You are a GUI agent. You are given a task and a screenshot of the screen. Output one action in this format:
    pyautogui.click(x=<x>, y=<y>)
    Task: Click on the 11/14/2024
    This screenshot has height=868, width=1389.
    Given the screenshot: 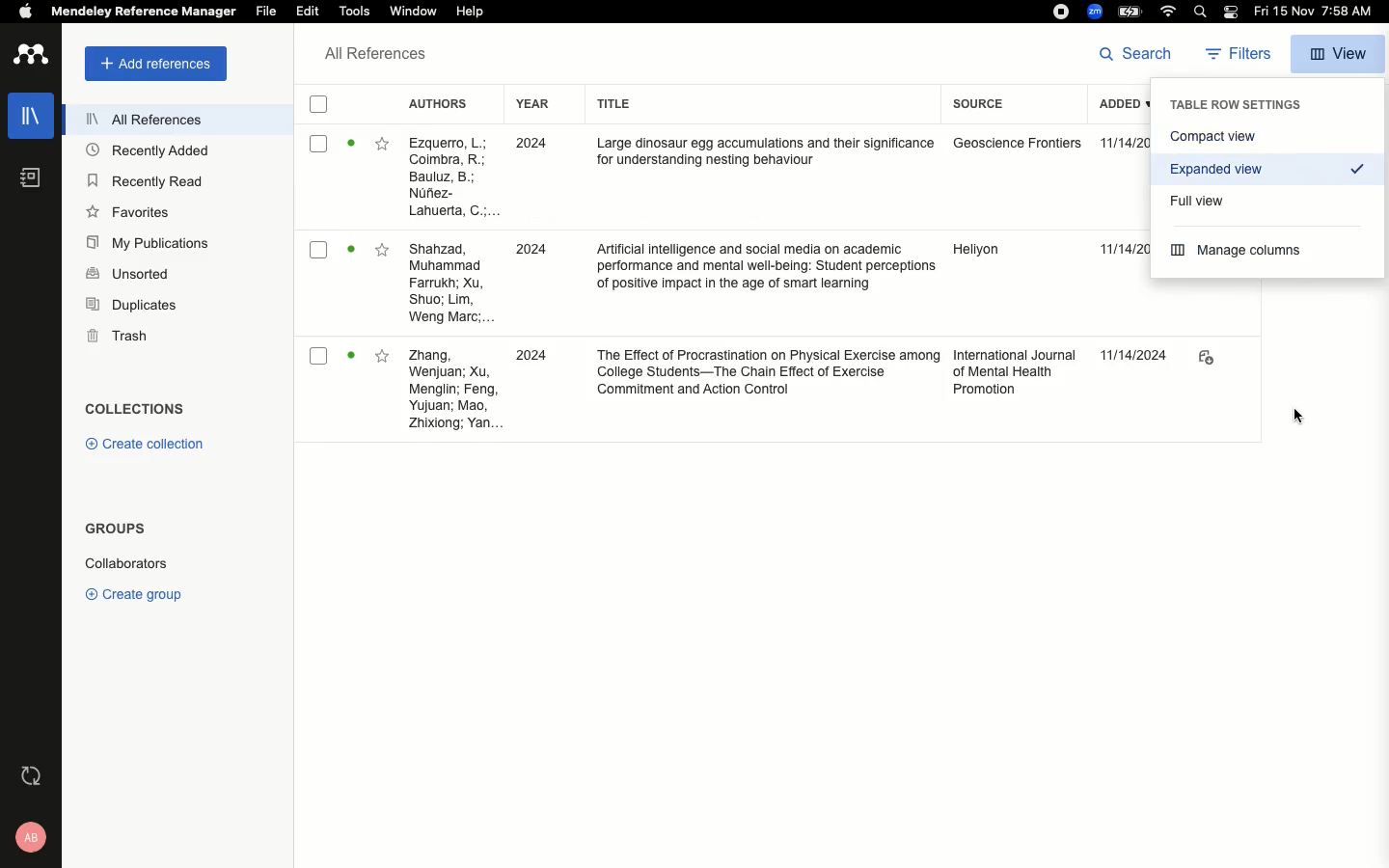 What is the action you would take?
    pyautogui.click(x=1136, y=356)
    